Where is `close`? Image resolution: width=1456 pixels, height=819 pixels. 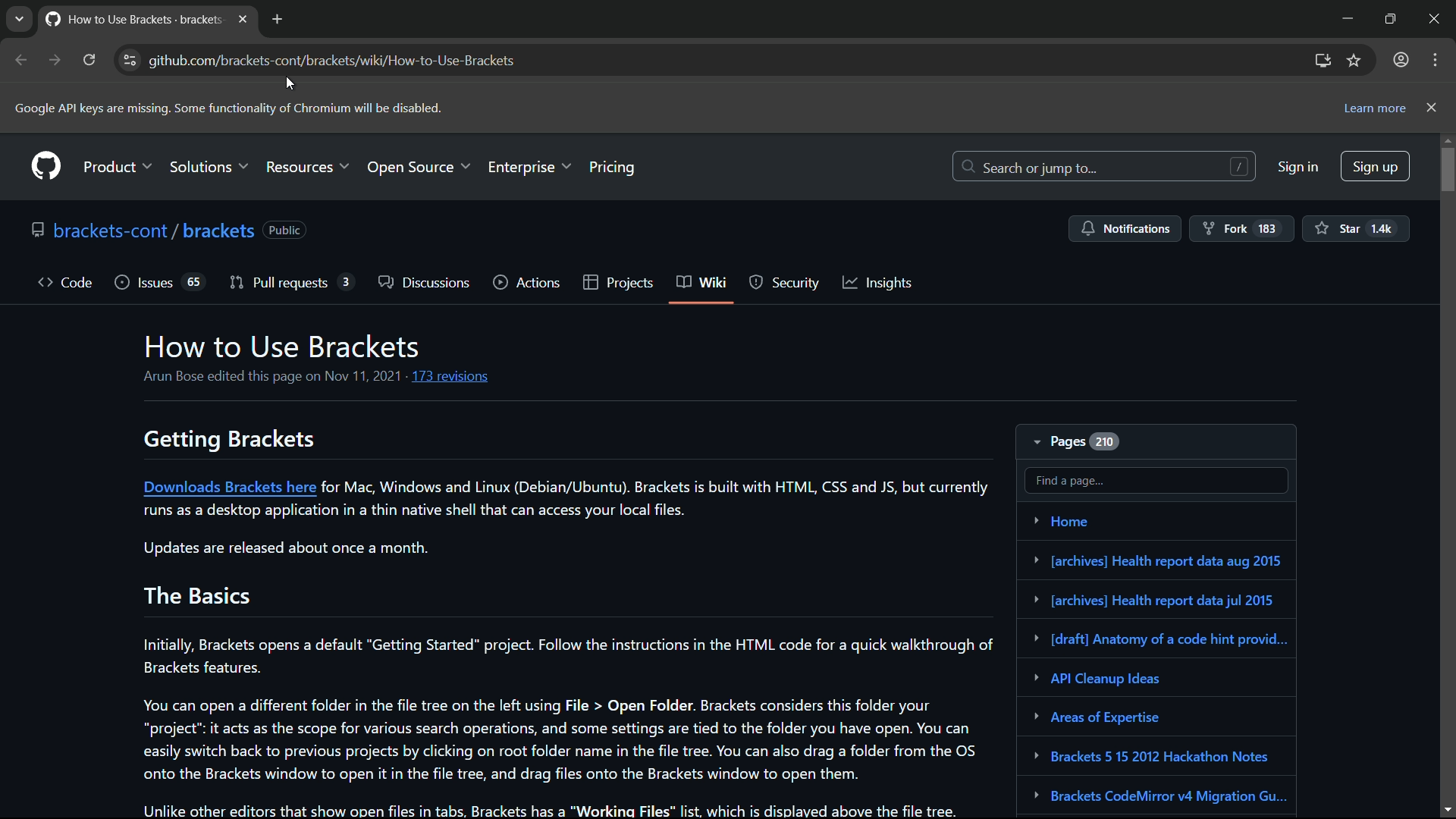
close is located at coordinates (1432, 105).